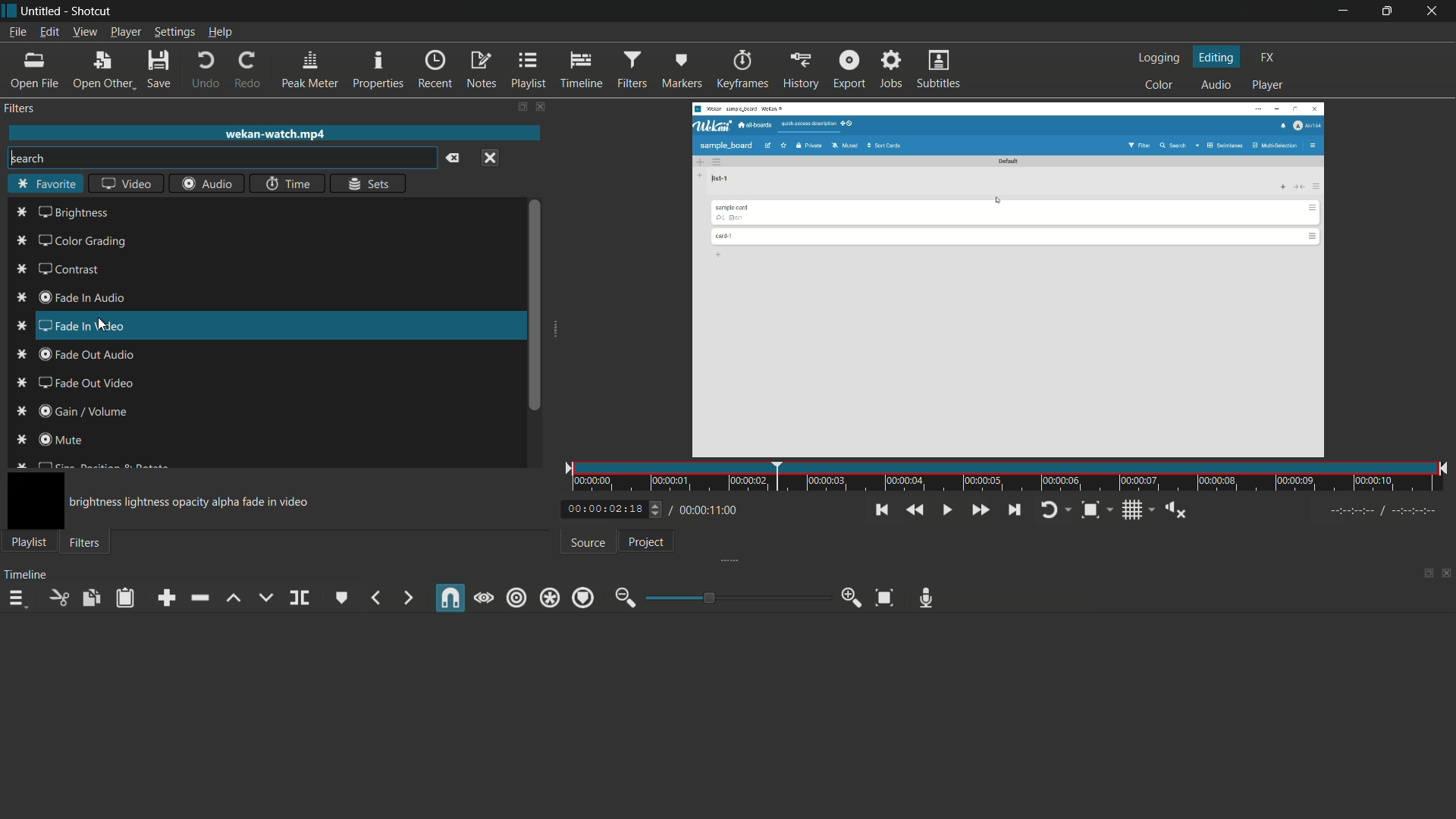  What do you see at coordinates (493, 158) in the screenshot?
I see `close menu` at bounding box center [493, 158].